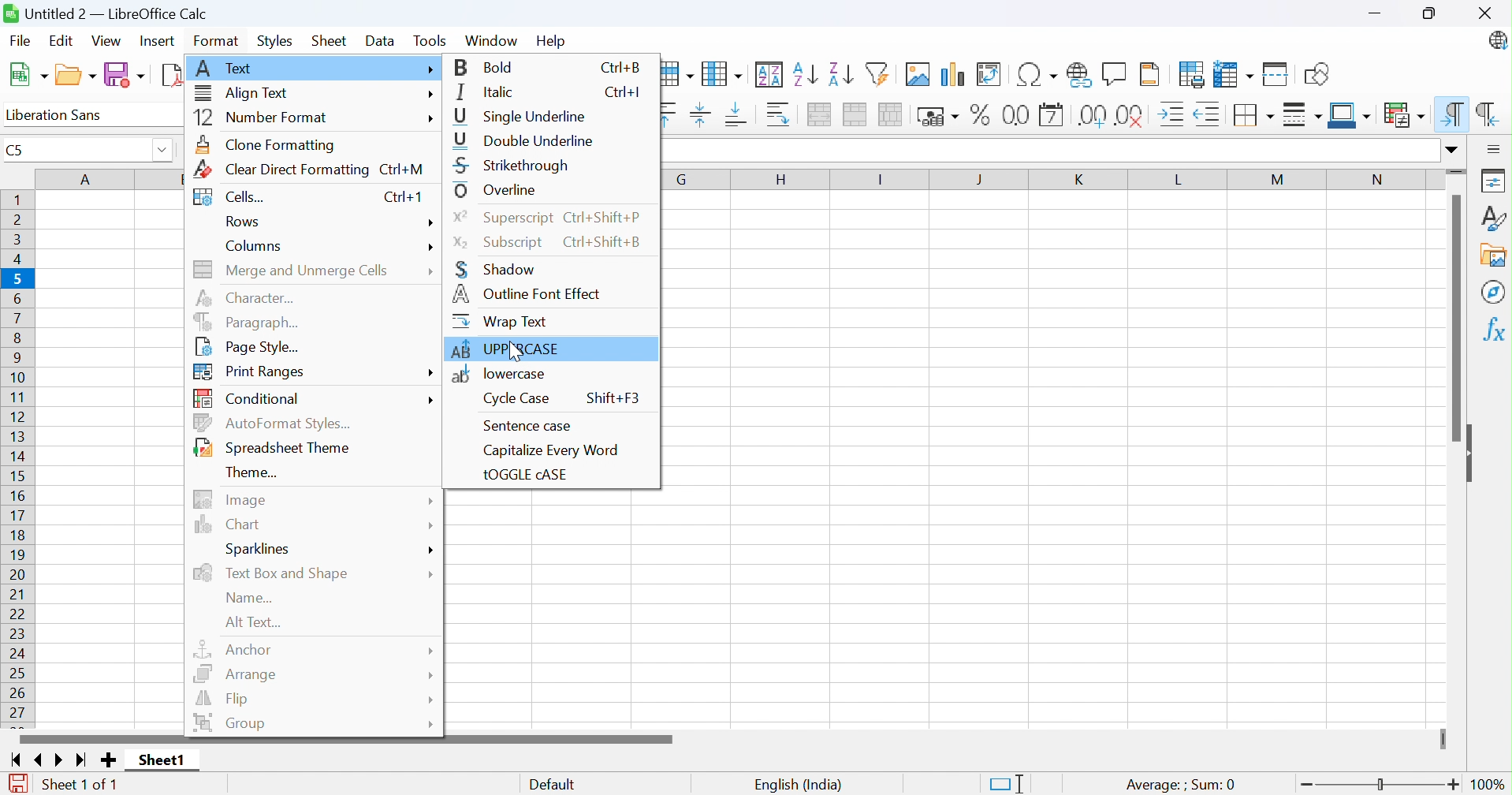 This screenshot has width=1512, height=795. What do you see at coordinates (109, 760) in the screenshot?
I see `Add new sheet` at bounding box center [109, 760].